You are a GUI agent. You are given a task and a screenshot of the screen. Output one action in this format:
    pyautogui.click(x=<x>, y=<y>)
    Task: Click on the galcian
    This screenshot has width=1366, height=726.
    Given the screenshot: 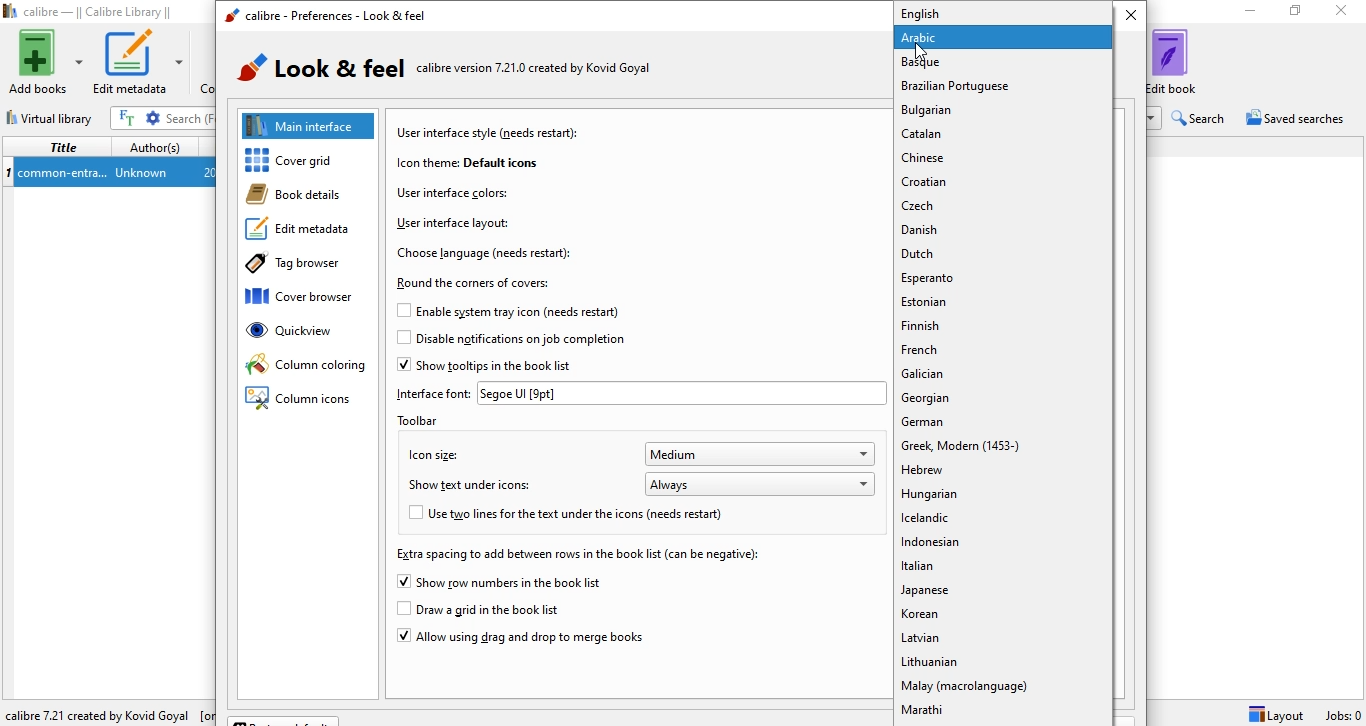 What is the action you would take?
    pyautogui.click(x=1004, y=376)
    